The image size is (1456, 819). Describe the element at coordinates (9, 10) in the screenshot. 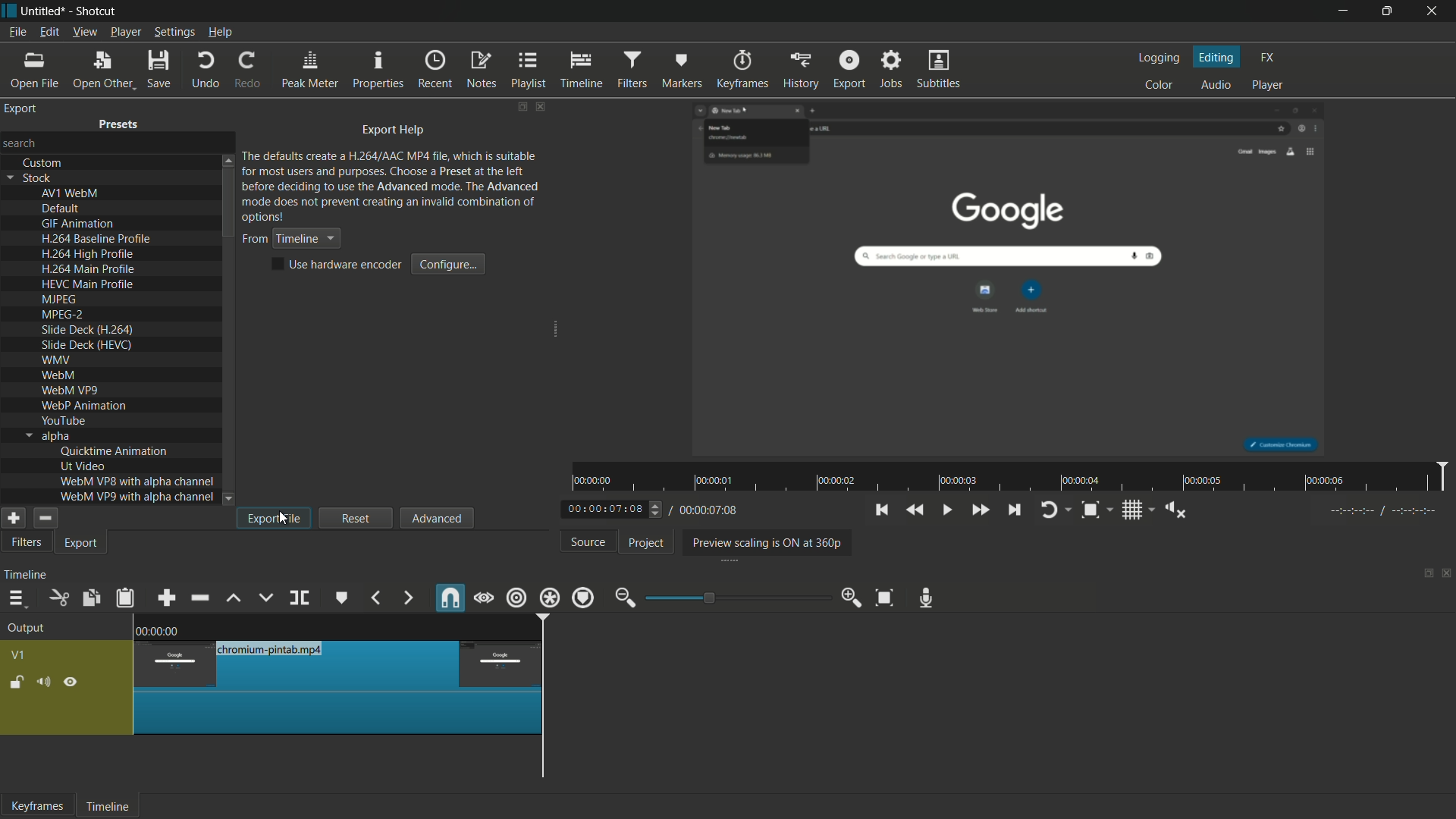

I see `app icon` at that location.